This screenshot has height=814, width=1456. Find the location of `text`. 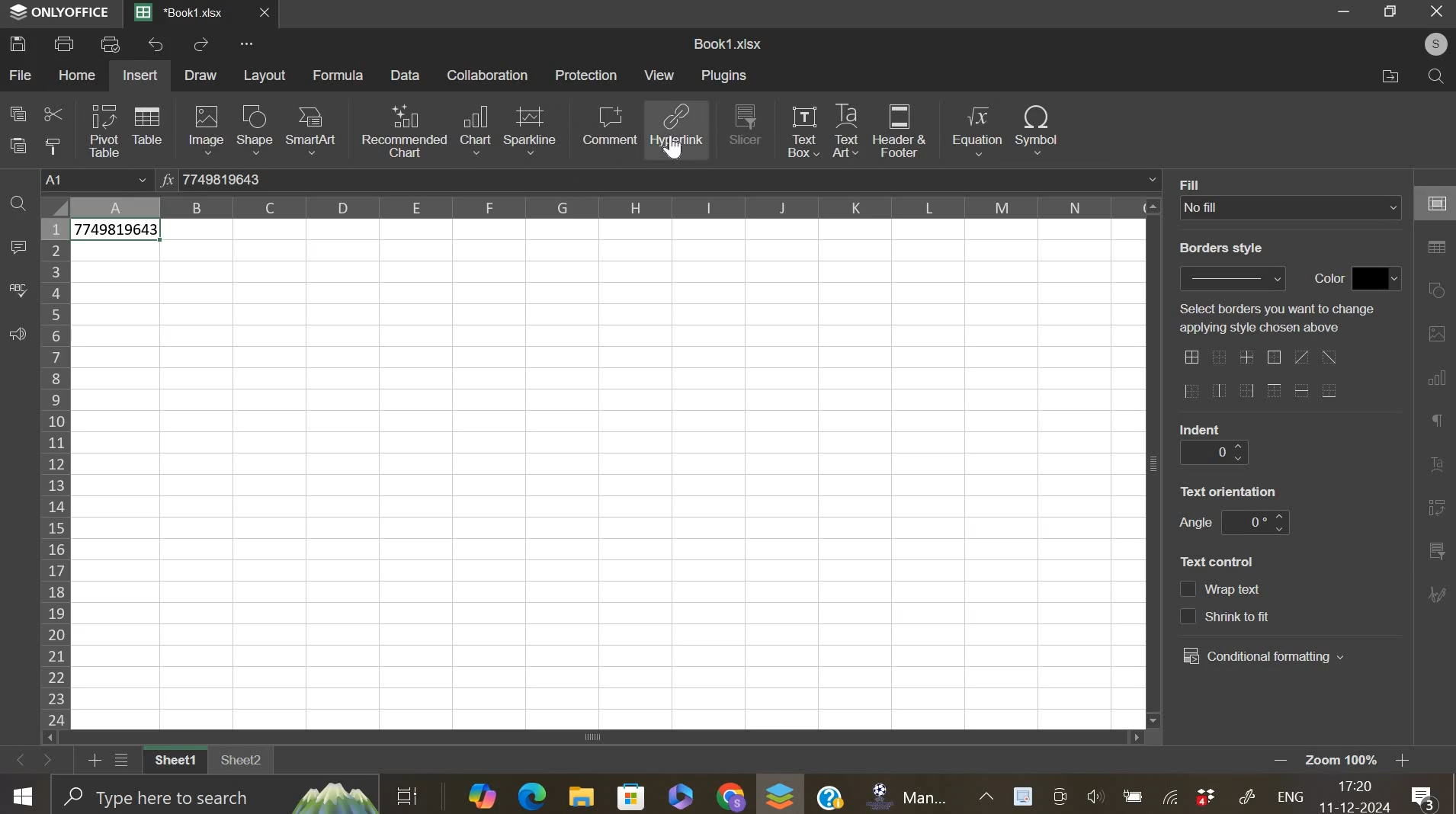

text is located at coordinates (1276, 318).